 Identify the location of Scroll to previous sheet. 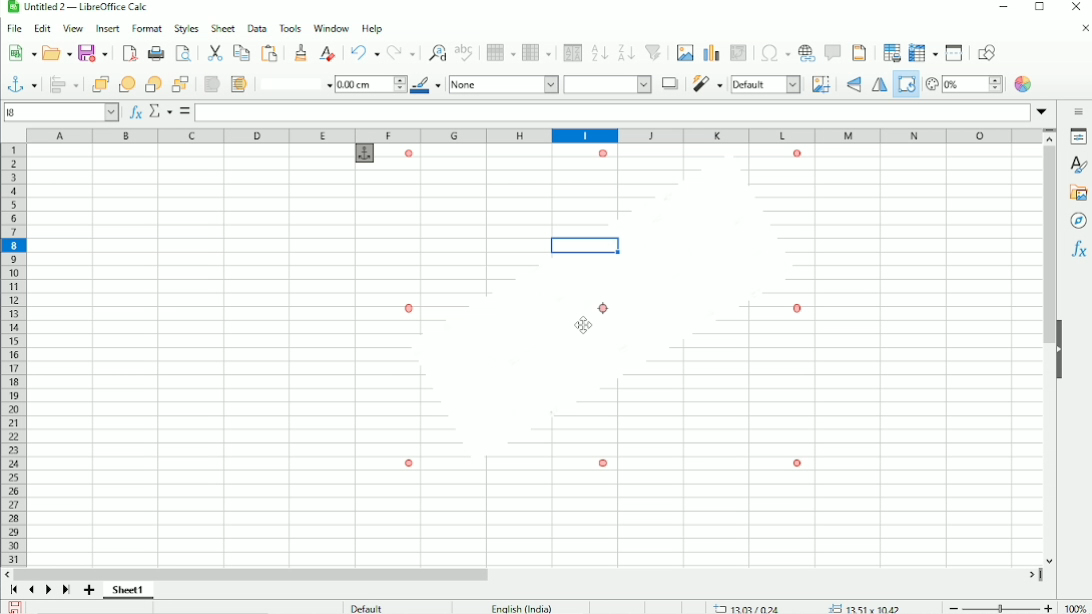
(30, 590).